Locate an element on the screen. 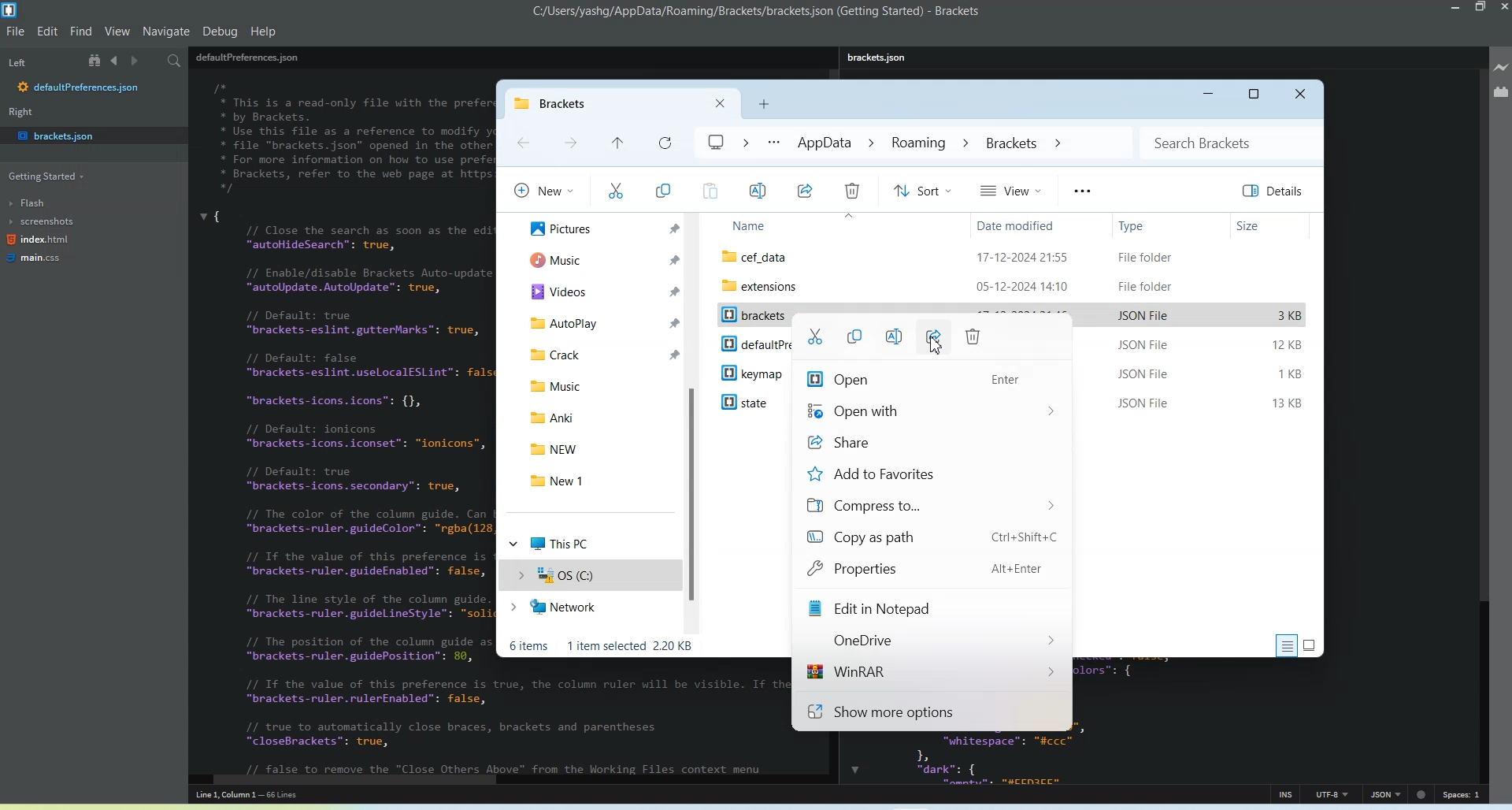 This screenshot has height=810, width=1512. Rename is located at coordinates (893, 336).